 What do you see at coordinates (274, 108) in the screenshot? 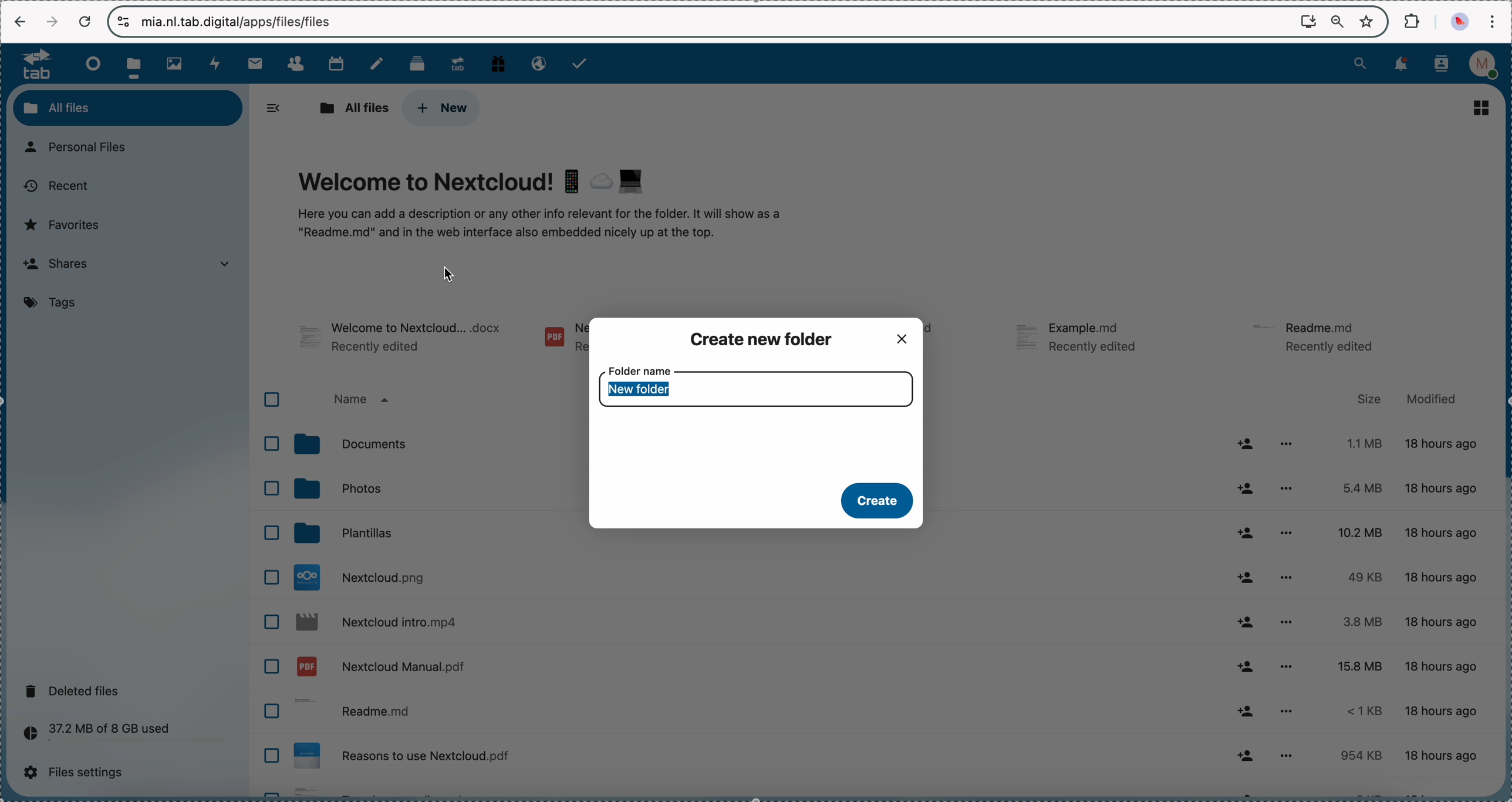
I see `hide side bar` at bounding box center [274, 108].